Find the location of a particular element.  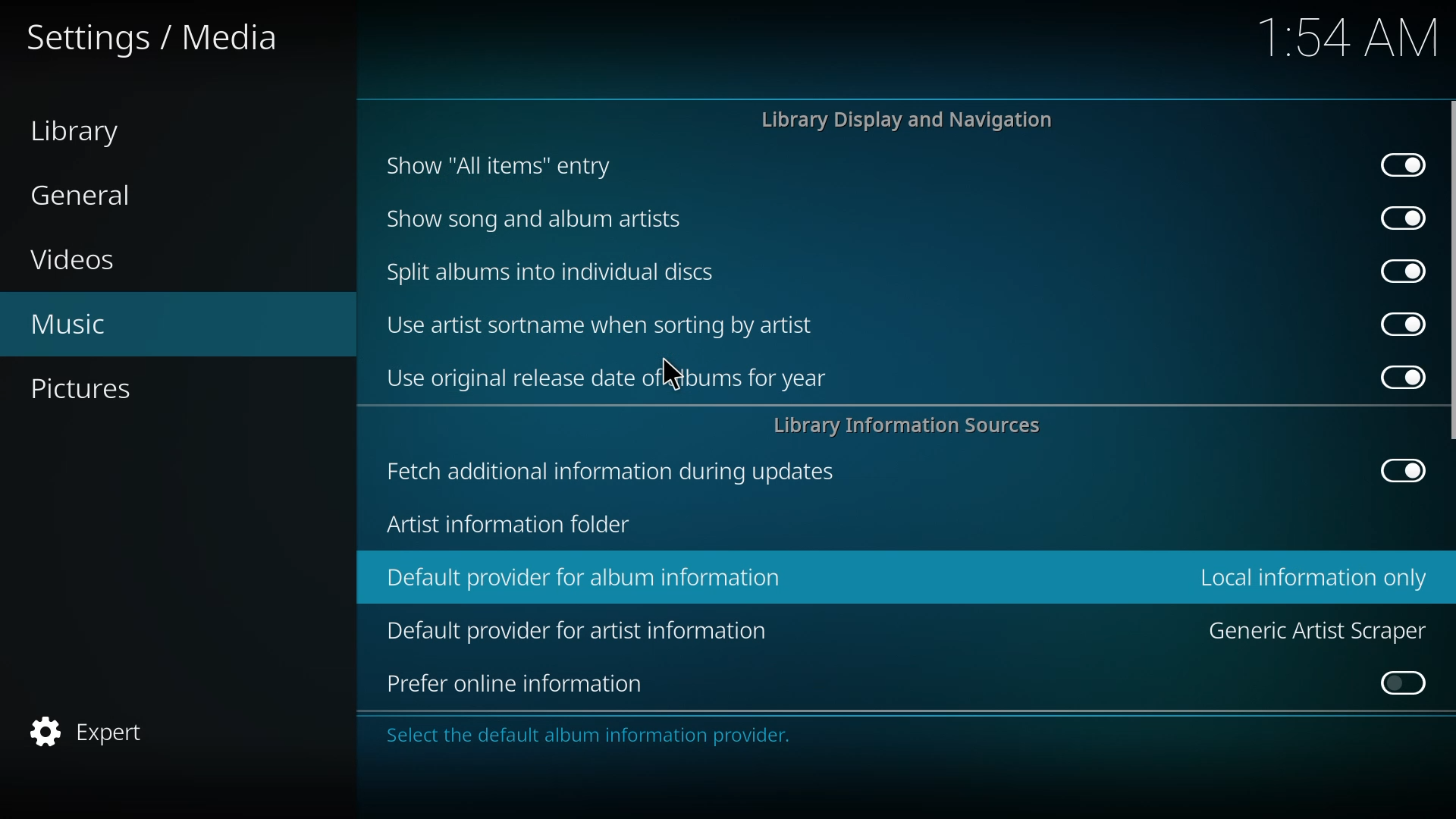

show all items entry is located at coordinates (496, 165).